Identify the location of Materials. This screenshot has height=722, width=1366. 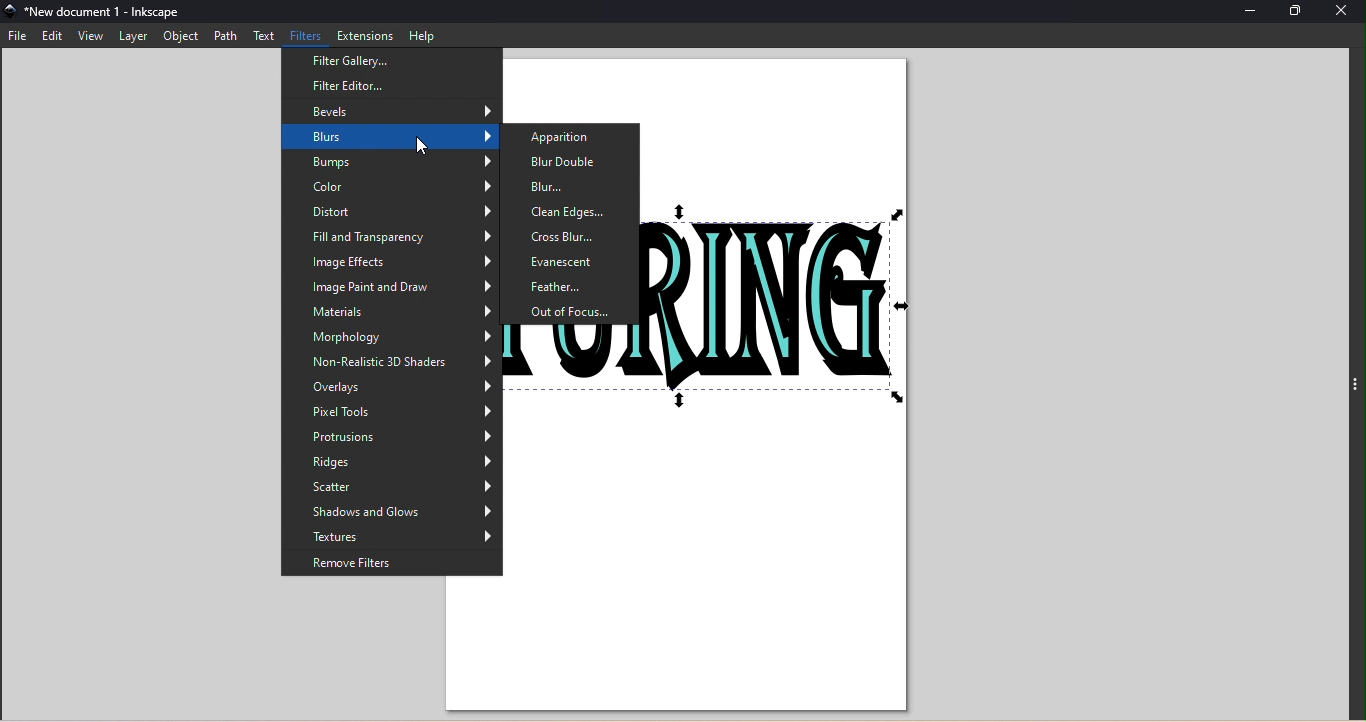
(390, 313).